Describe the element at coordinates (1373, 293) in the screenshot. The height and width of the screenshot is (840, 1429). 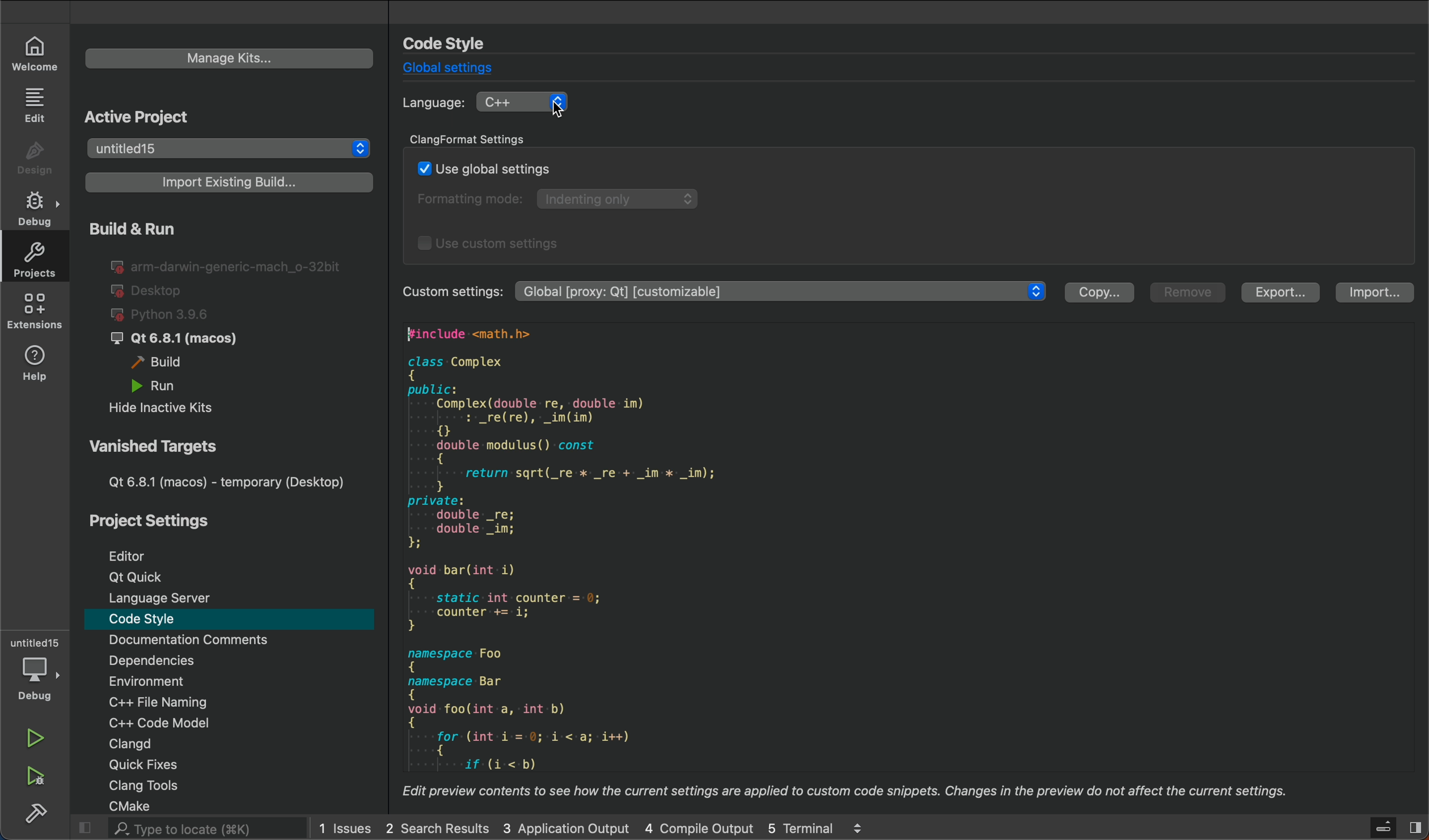
I see `import` at that location.